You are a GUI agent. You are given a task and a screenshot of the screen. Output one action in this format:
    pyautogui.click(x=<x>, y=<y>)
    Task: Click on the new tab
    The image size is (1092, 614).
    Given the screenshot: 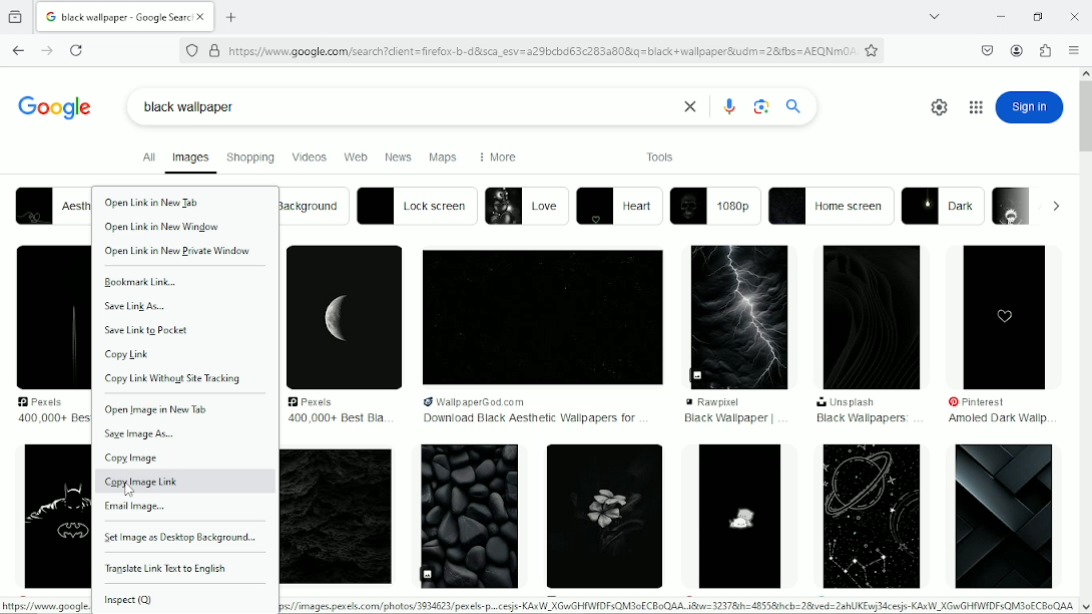 What is the action you would take?
    pyautogui.click(x=232, y=17)
    